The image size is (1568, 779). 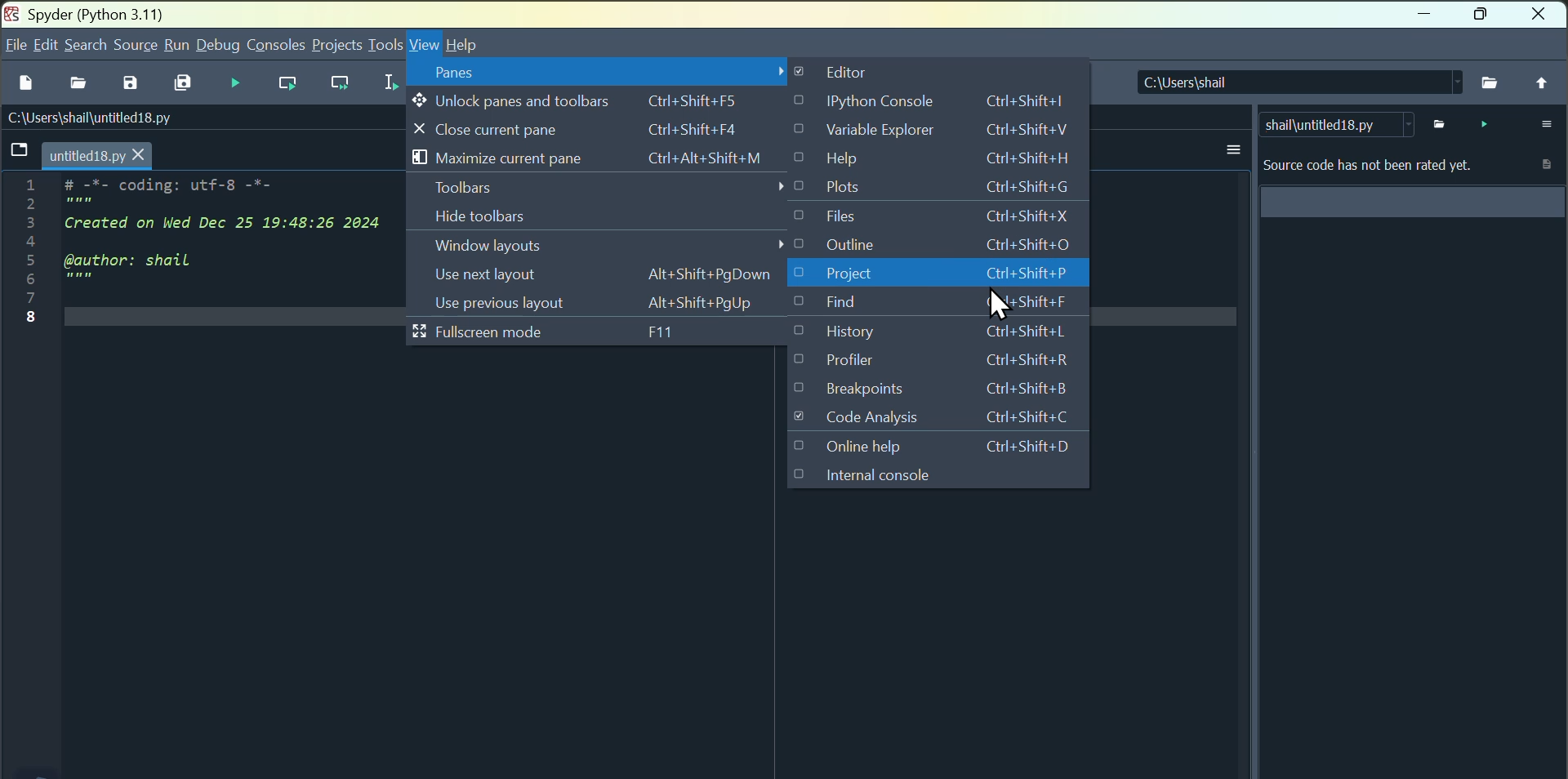 What do you see at coordinates (1443, 123) in the screenshot?
I see `file browse` at bounding box center [1443, 123].